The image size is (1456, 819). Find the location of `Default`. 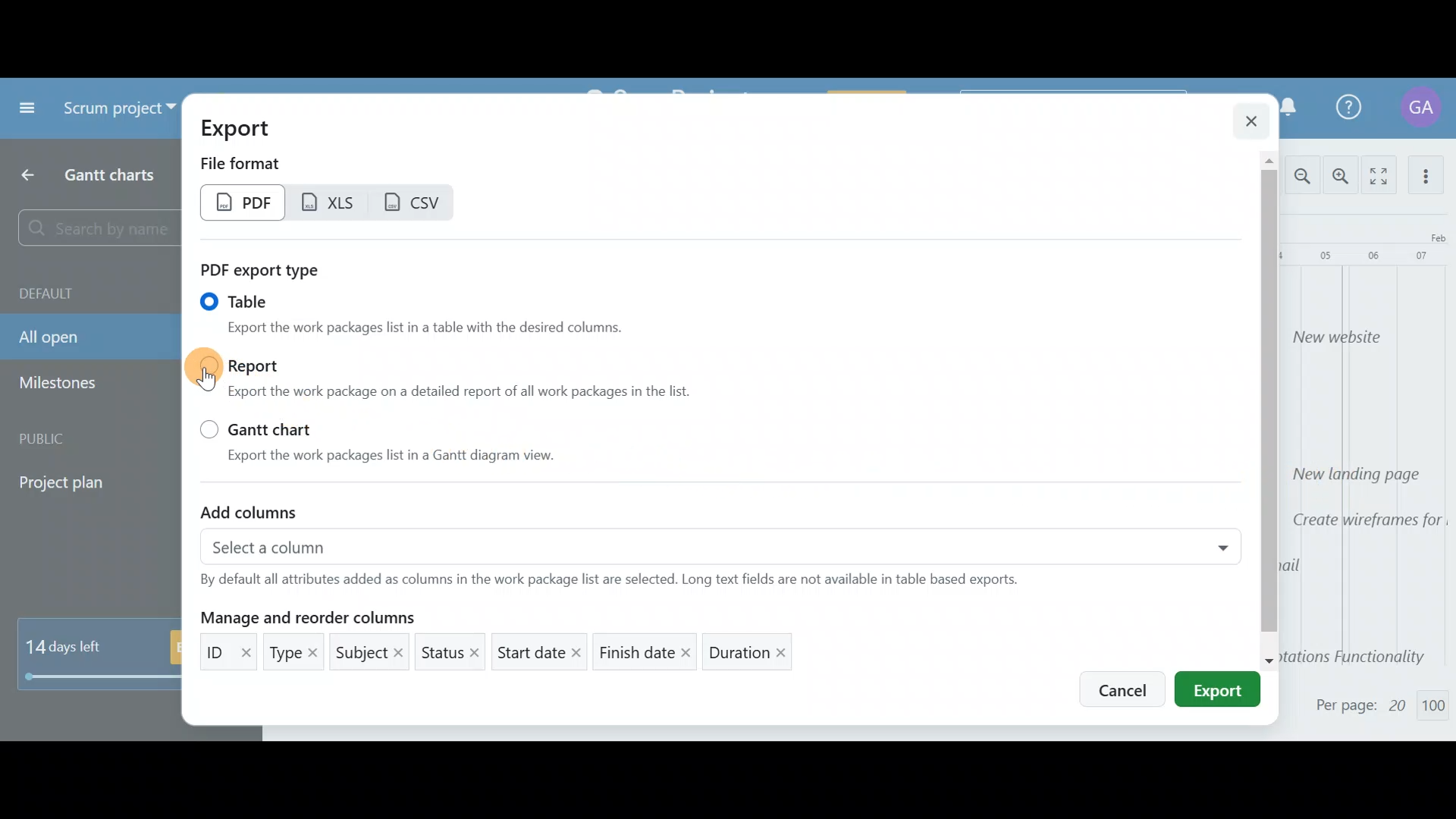

Default is located at coordinates (90, 297).